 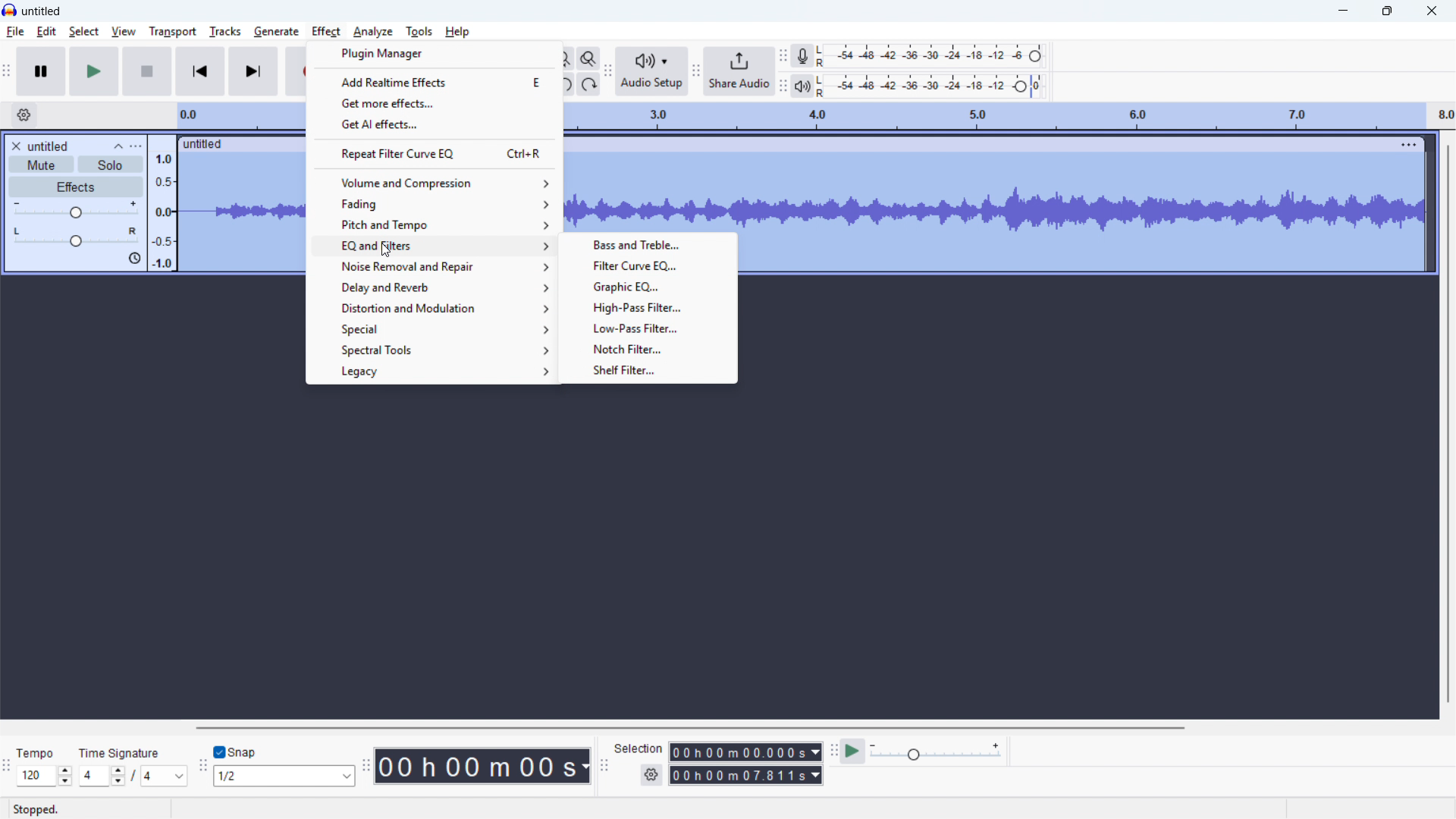 I want to click on Low pass filter, so click(x=646, y=327).